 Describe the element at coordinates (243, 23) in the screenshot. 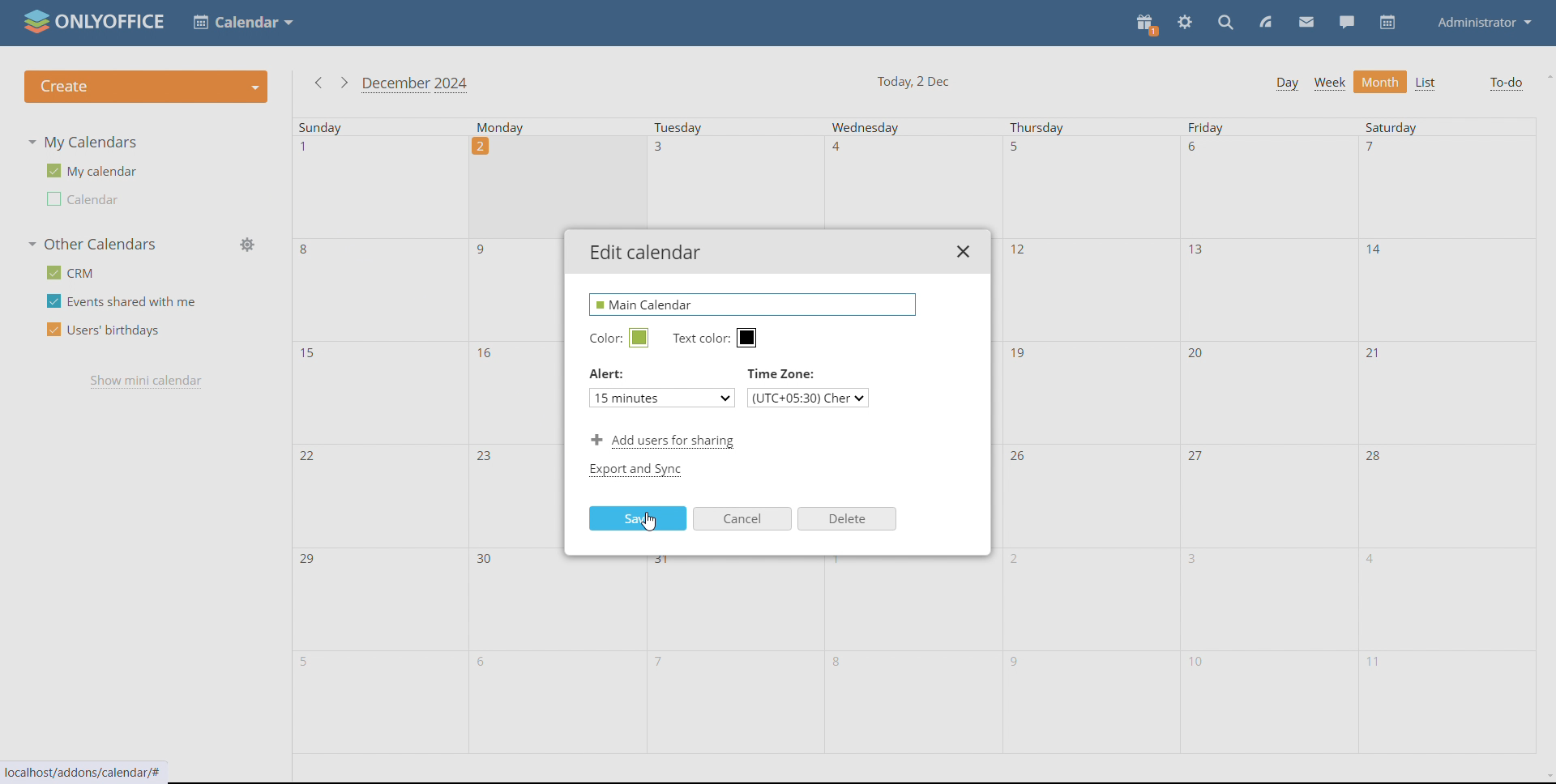

I see `select application` at that location.